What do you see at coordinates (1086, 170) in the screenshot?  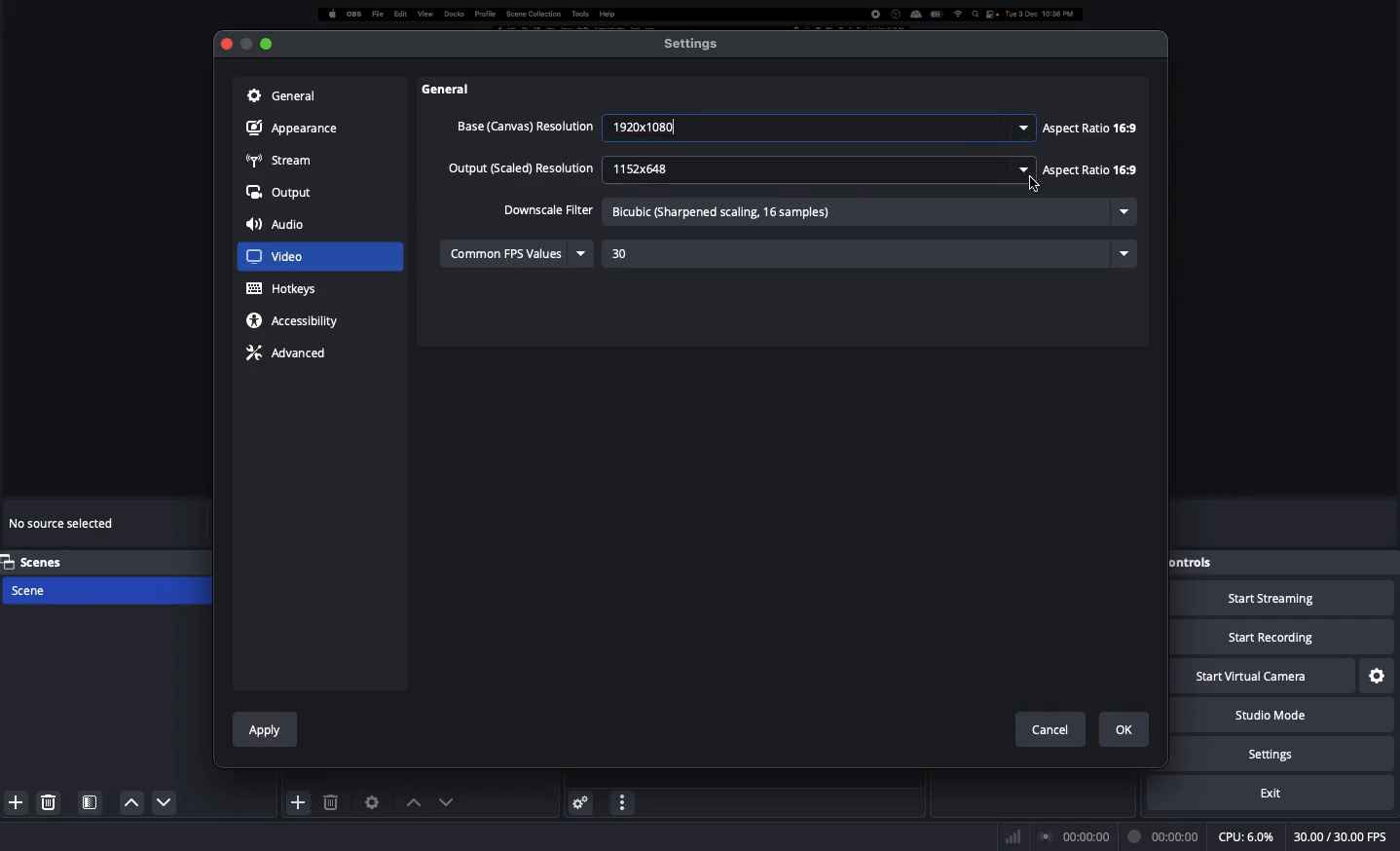 I see `Aspect ratio: 16:9` at bounding box center [1086, 170].